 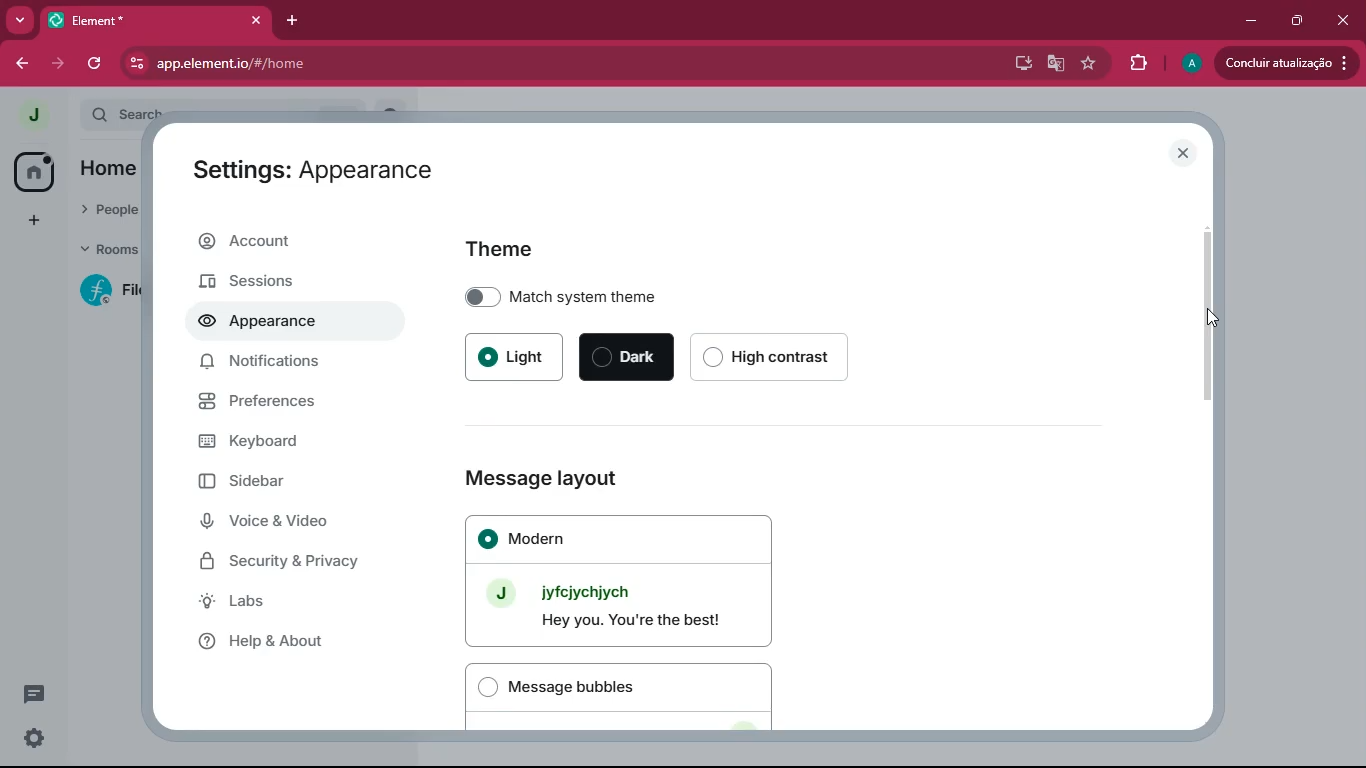 I want to click on security, so click(x=295, y=564).